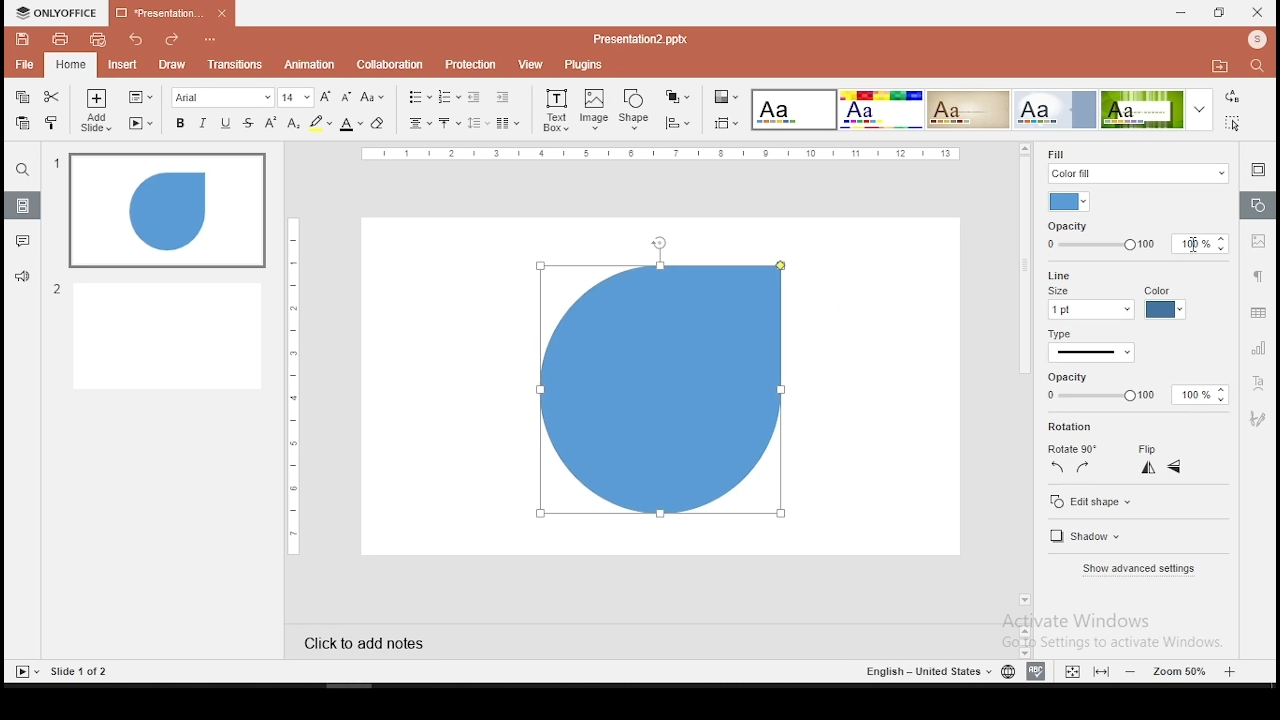 Image resolution: width=1280 pixels, height=720 pixels. Describe the element at coordinates (1174, 467) in the screenshot. I see `flip horizontal` at that location.